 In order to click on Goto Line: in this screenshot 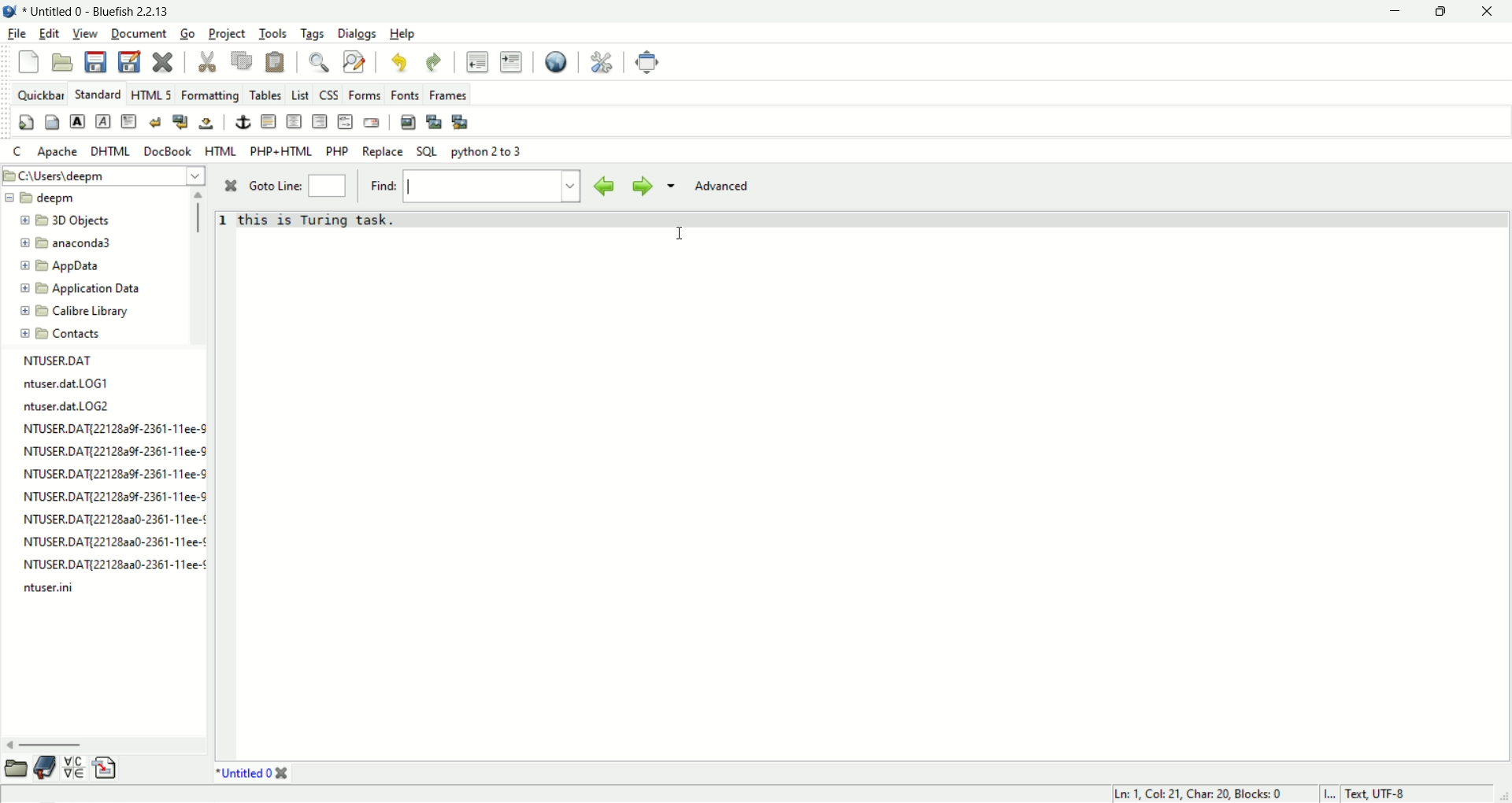, I will do `click(277, 187)`.